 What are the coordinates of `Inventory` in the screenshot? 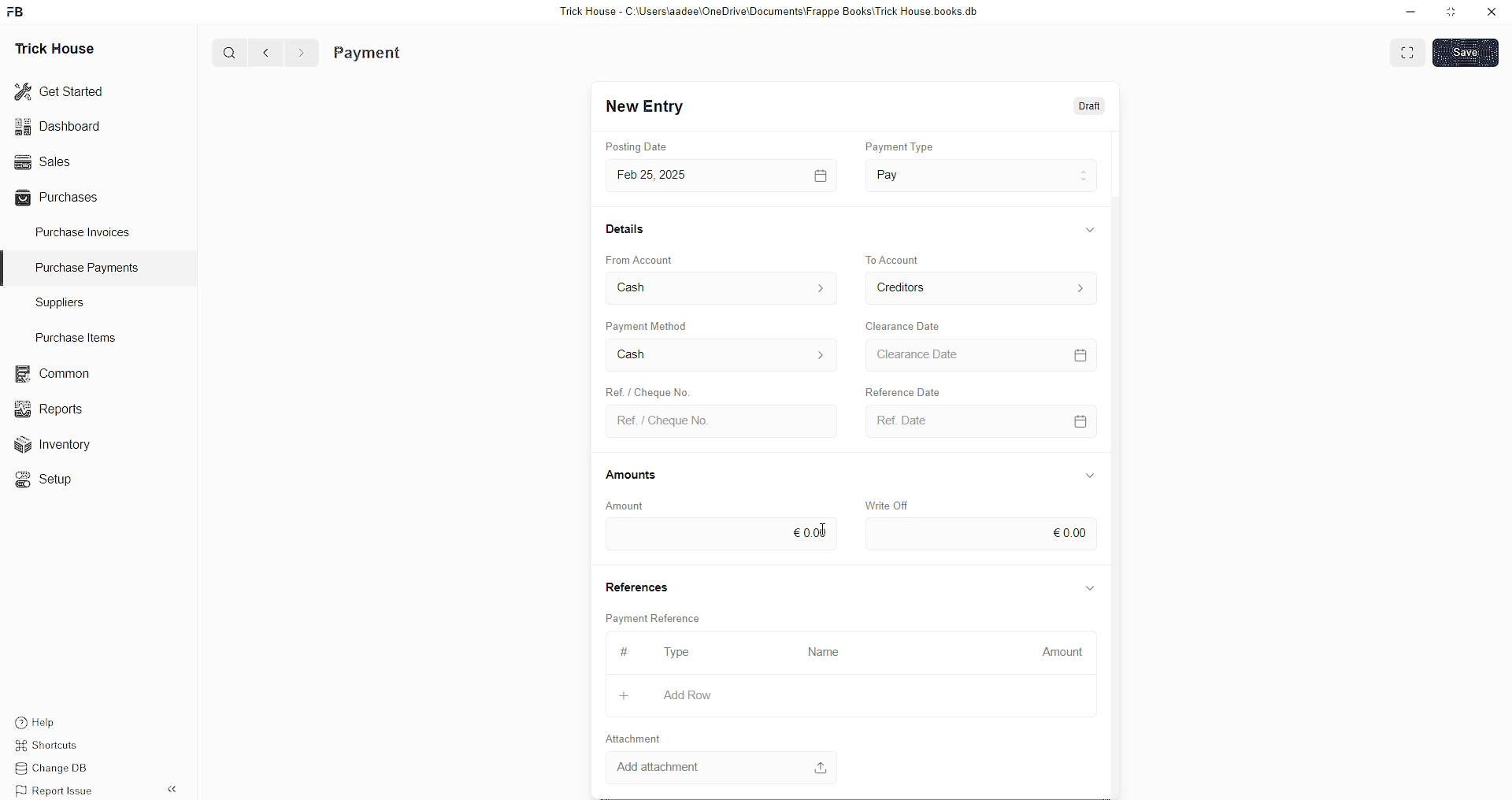 It's located at (61, 448).